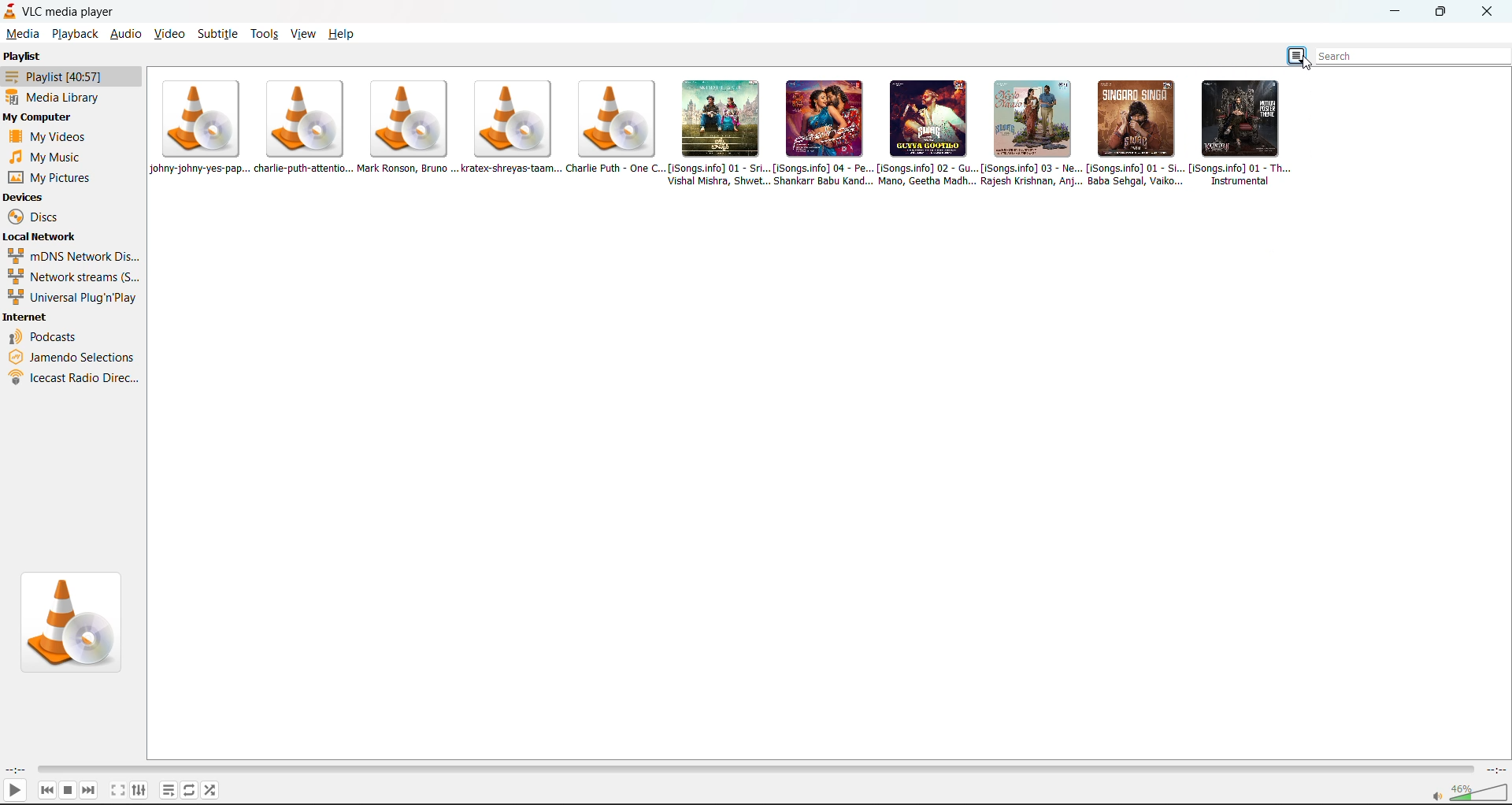 This screenshot has height=805, width=1512. What do you see at coordinates (47, 790) in the screenshot?
I see `previous` at bounding box center [47, 790].